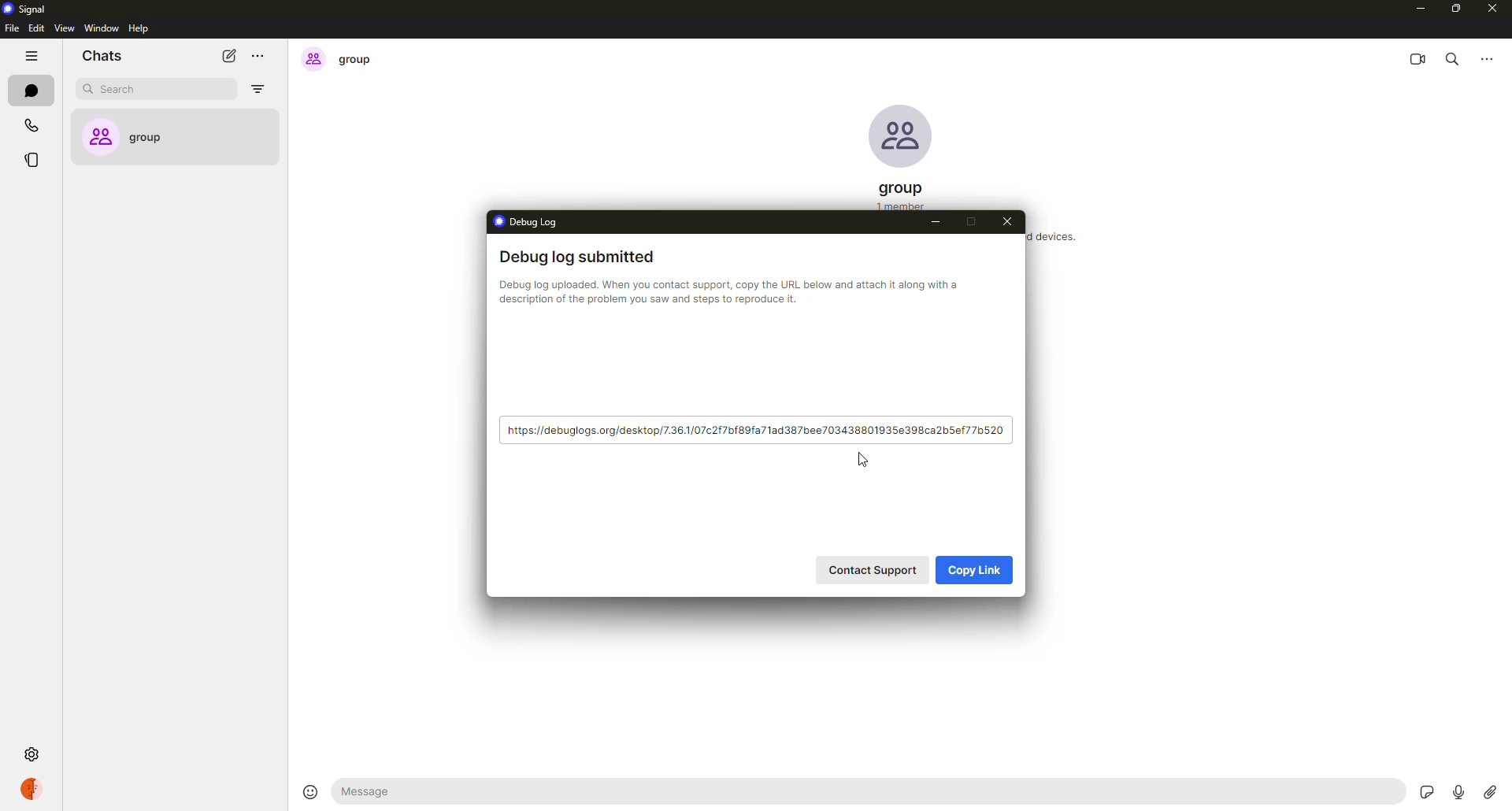  I want to click on link, so click(756, 431).